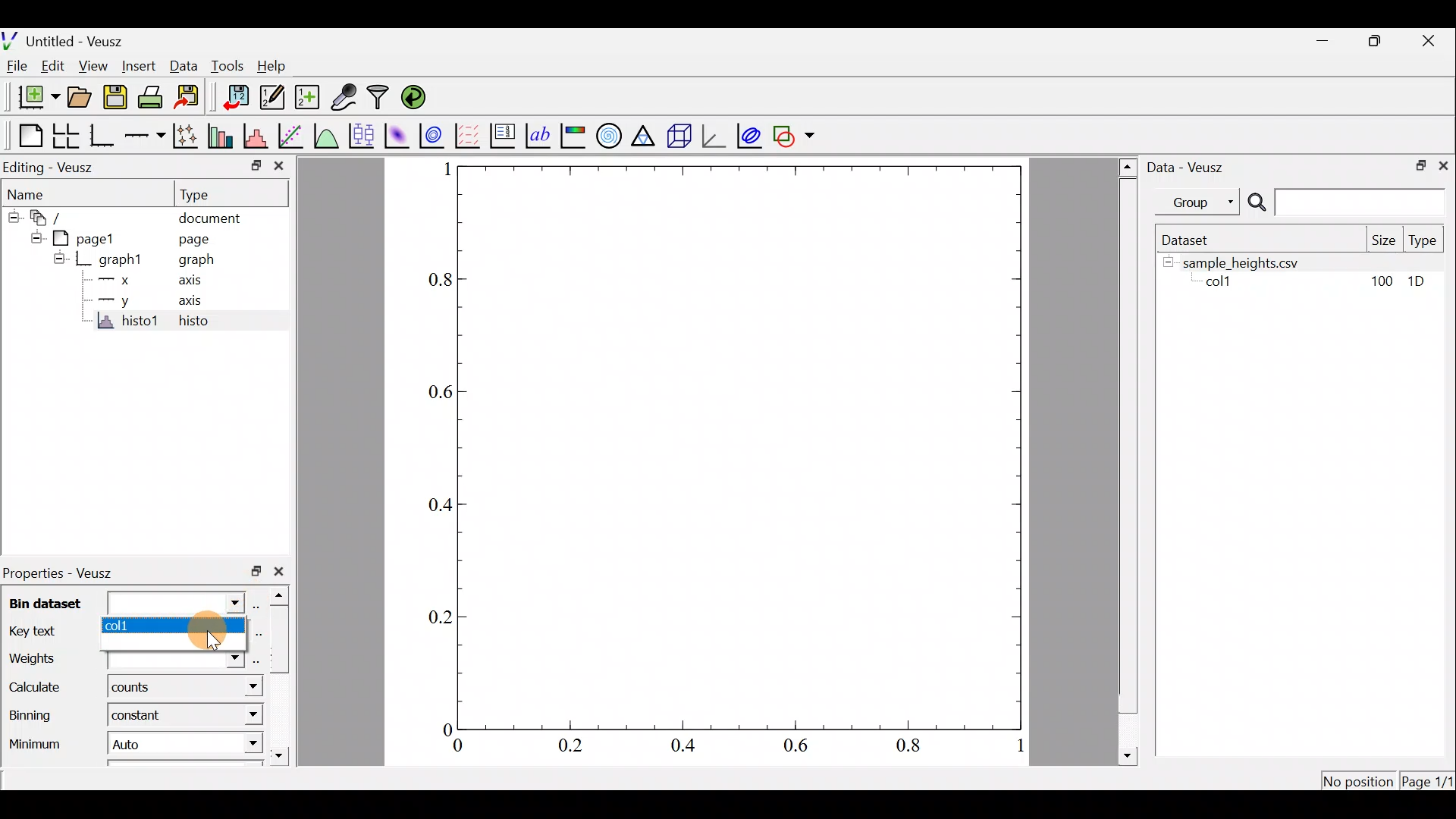 The height and width of the screenshot is (819, 1456). Describe the element at coordinates (130, 742) in the screenshot. I see `Auto` at that location.